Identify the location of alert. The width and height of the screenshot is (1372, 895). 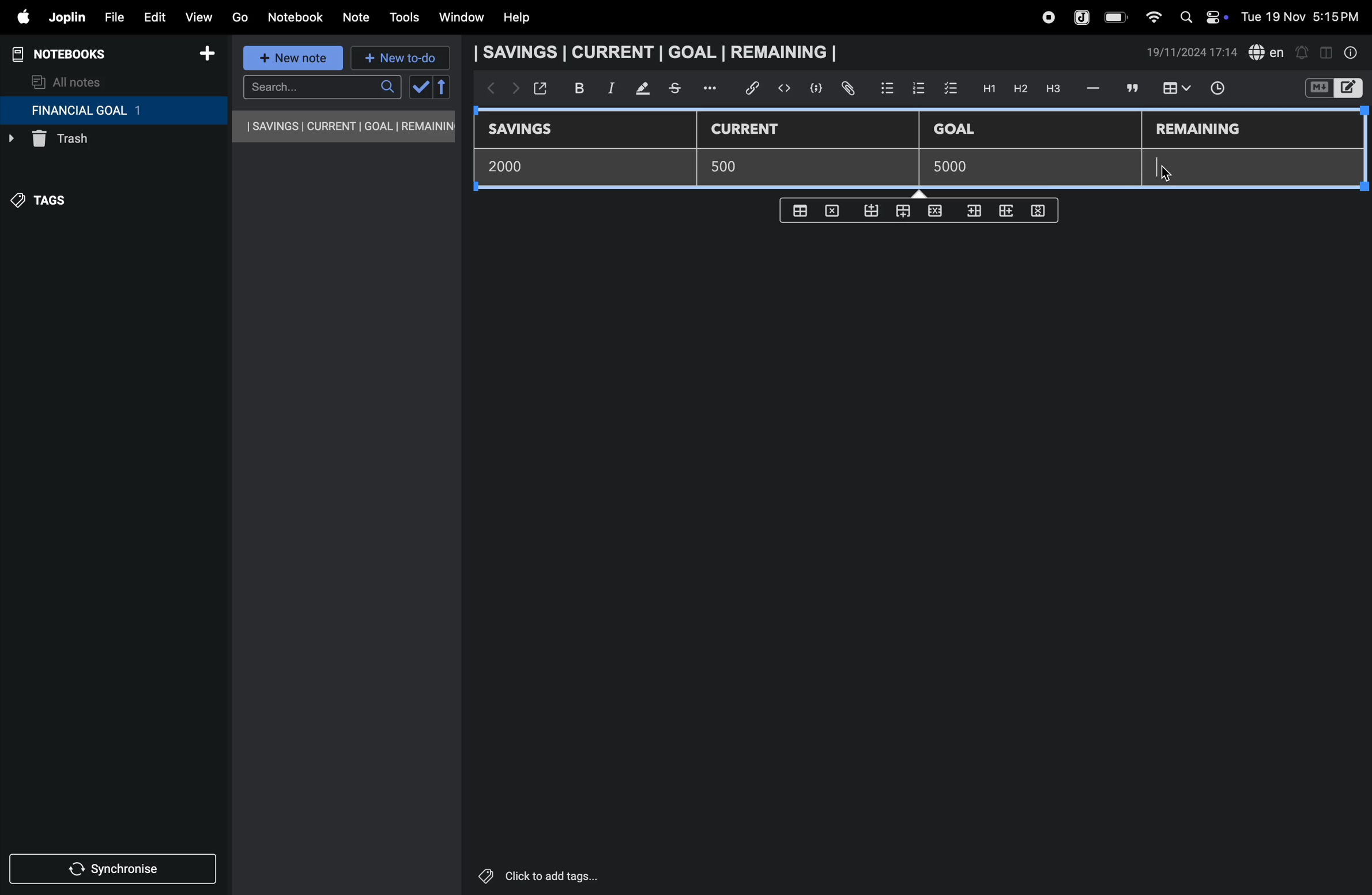
(1301, 52).